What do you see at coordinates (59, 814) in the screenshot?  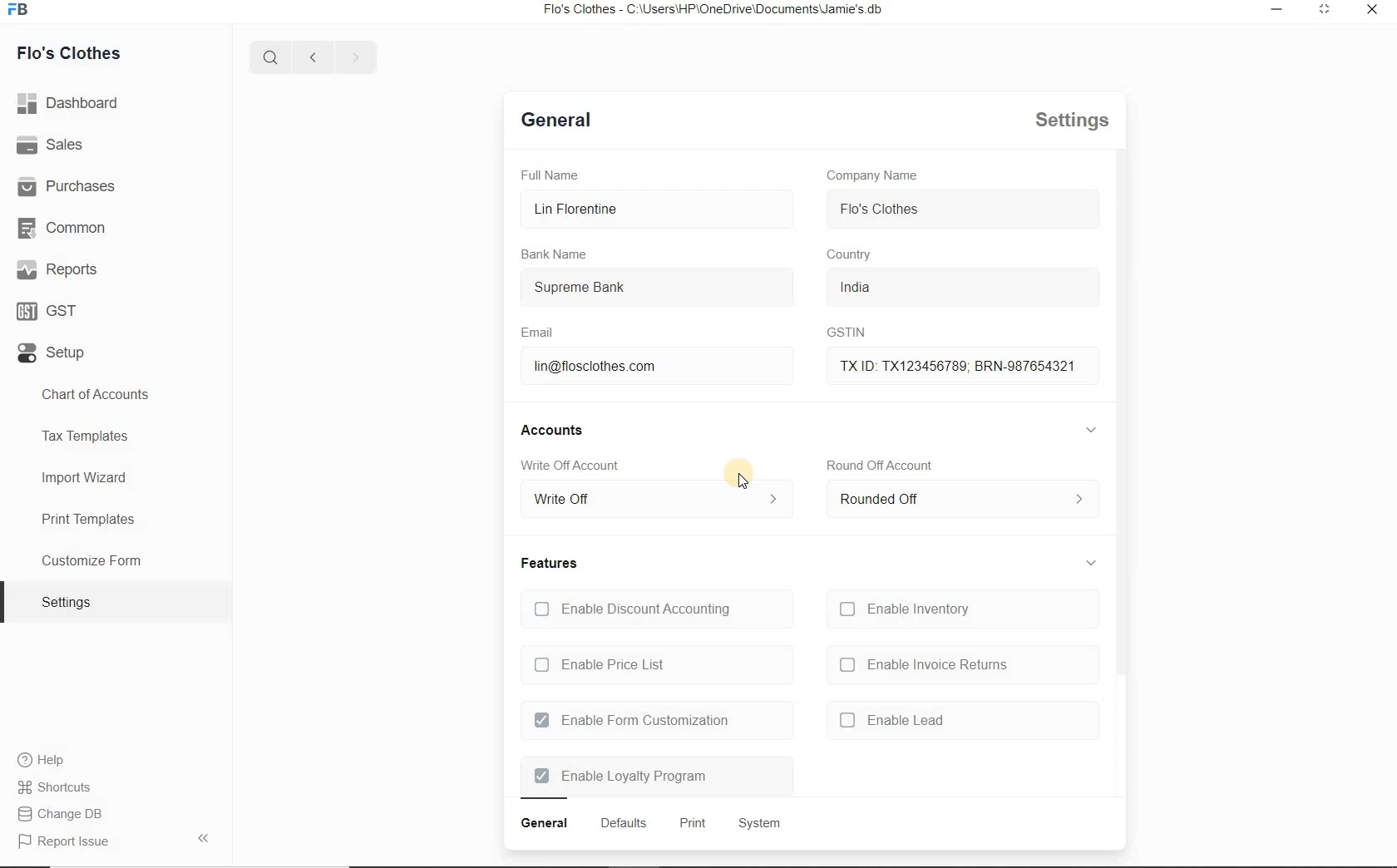 I see `Change DB` at bounding box center [59, 814].